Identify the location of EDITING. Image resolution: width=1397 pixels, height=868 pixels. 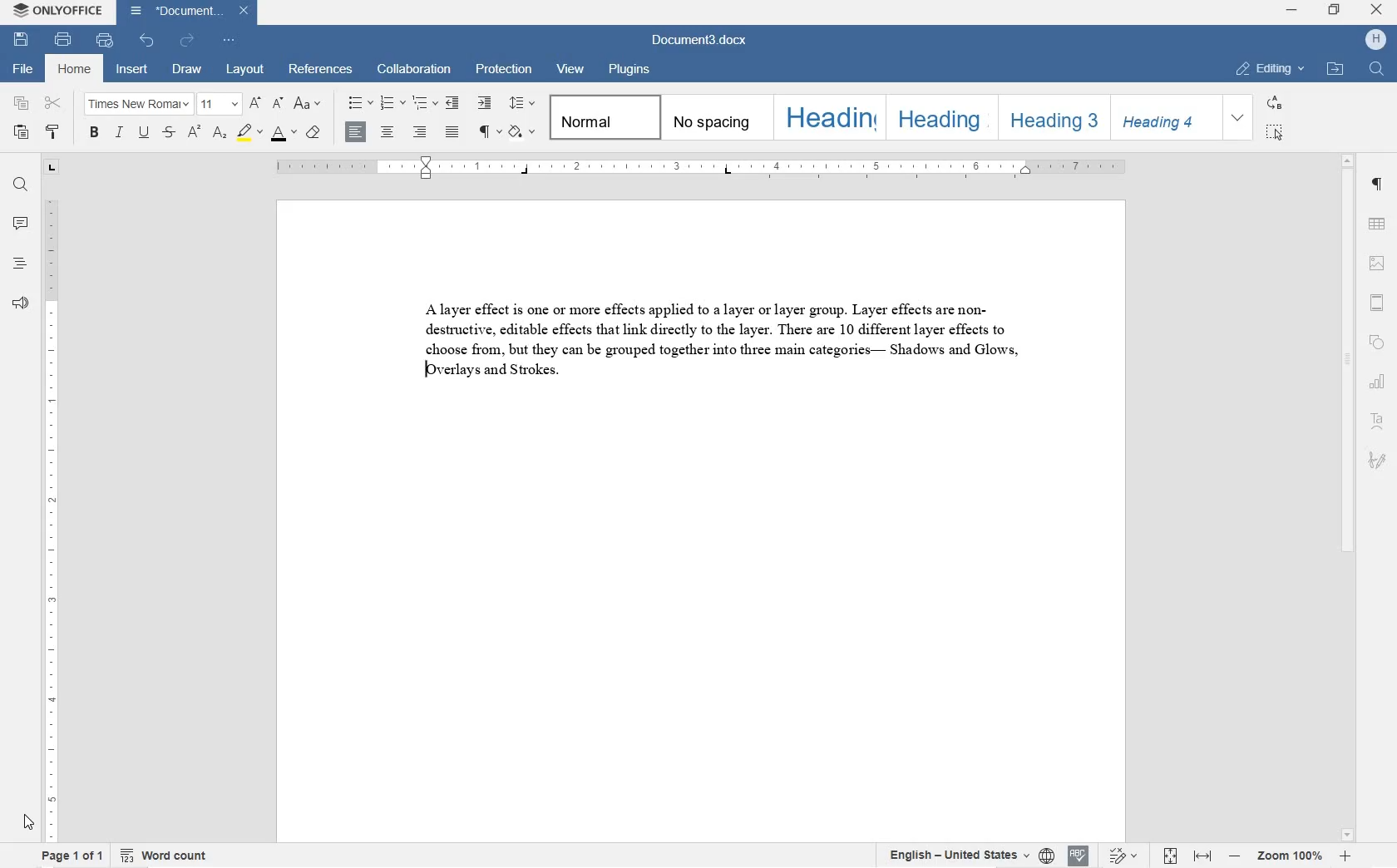
(1273, 69).